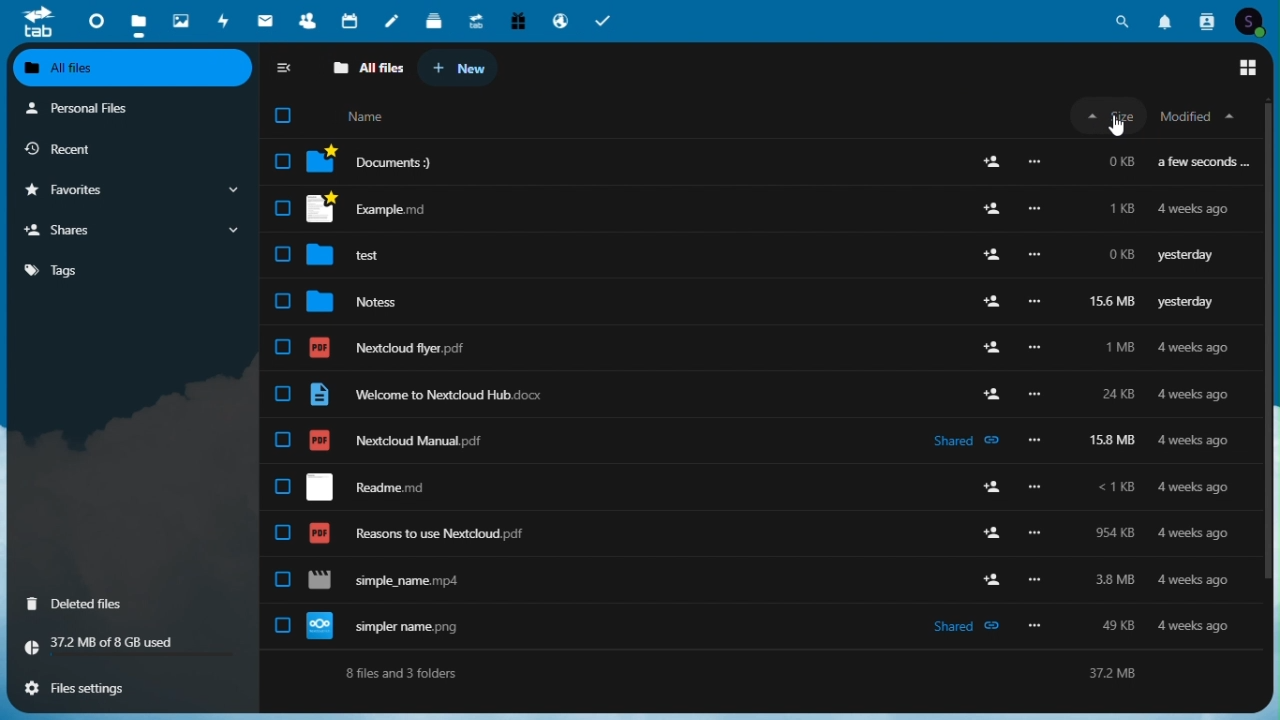 The width and height of the screenshot is (1280, 720). What do you see at coordinates (1108, 672) in the screenshot?
I see `372M8` at bounding box center [1108, 672].